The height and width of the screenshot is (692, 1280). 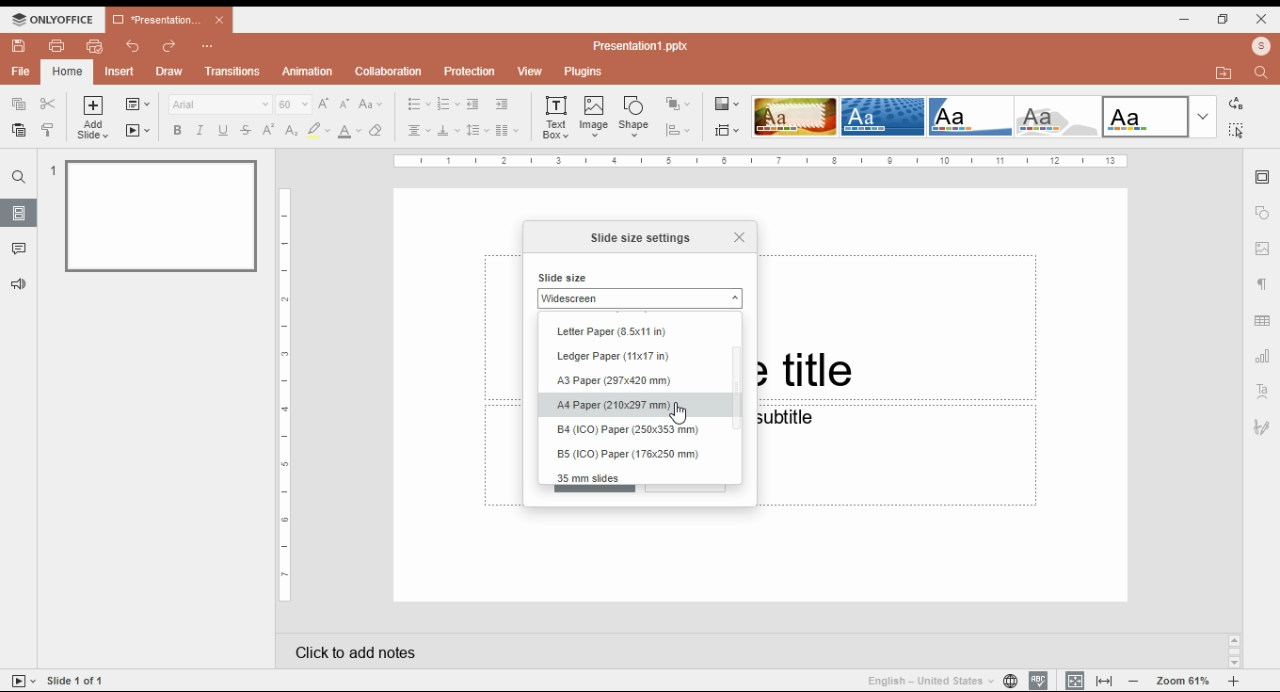 I want to click on Slide size settings, so click(x=642, y=238).